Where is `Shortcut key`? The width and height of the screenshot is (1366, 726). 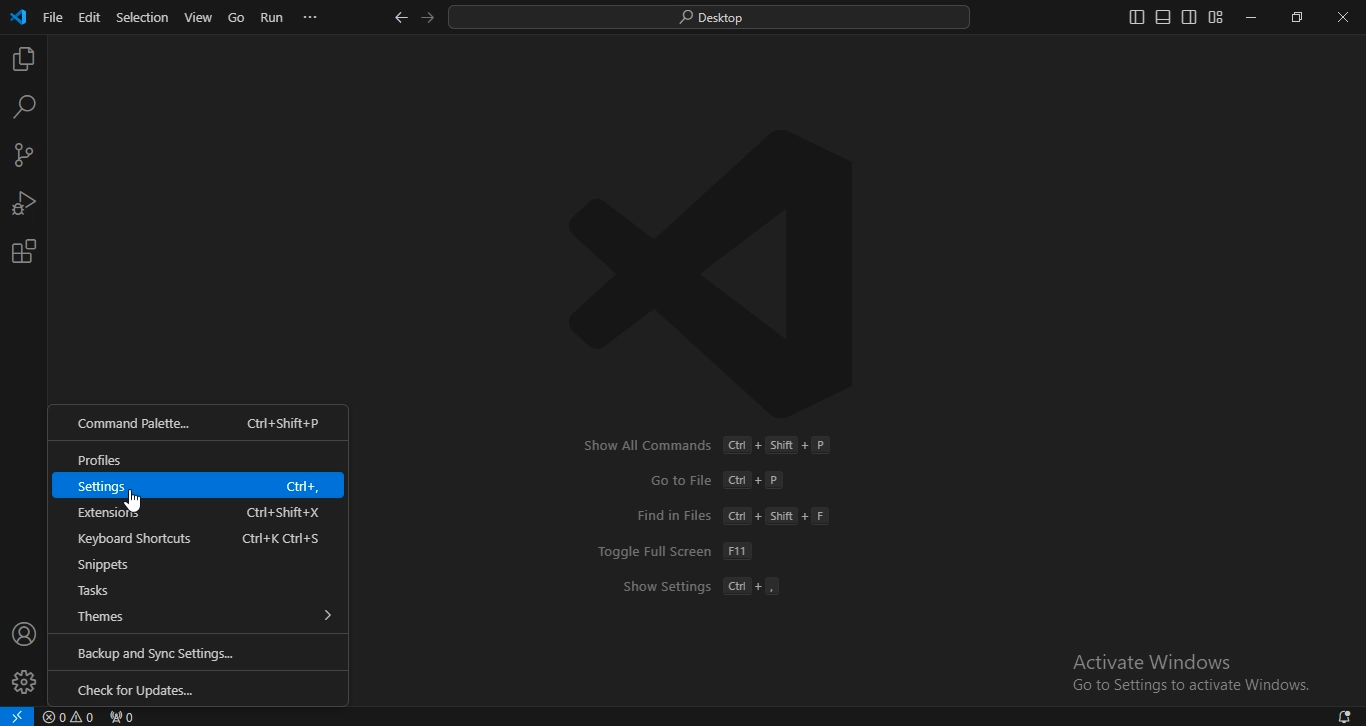 Shortcut key is located at coordinates (285, 423).